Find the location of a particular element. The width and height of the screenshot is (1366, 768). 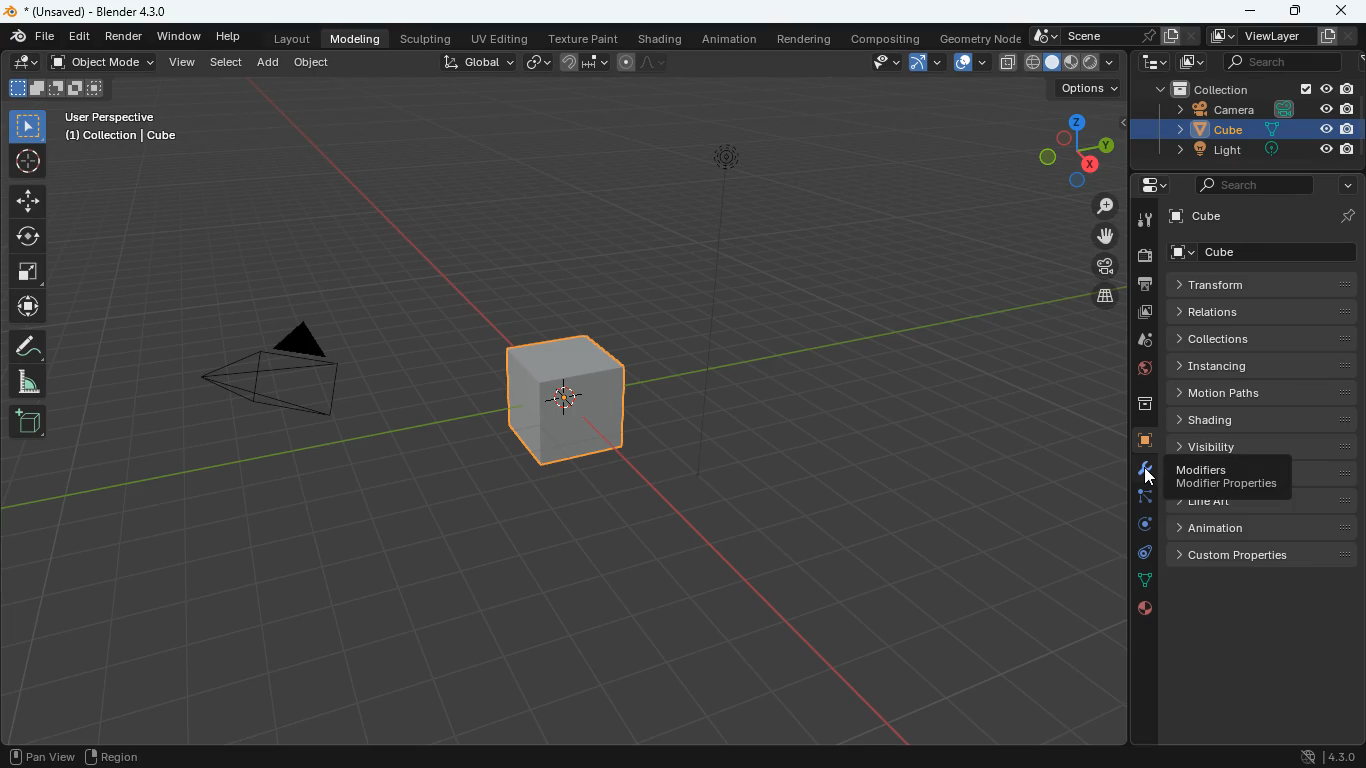

scene is located at coordinates (1113, 37).